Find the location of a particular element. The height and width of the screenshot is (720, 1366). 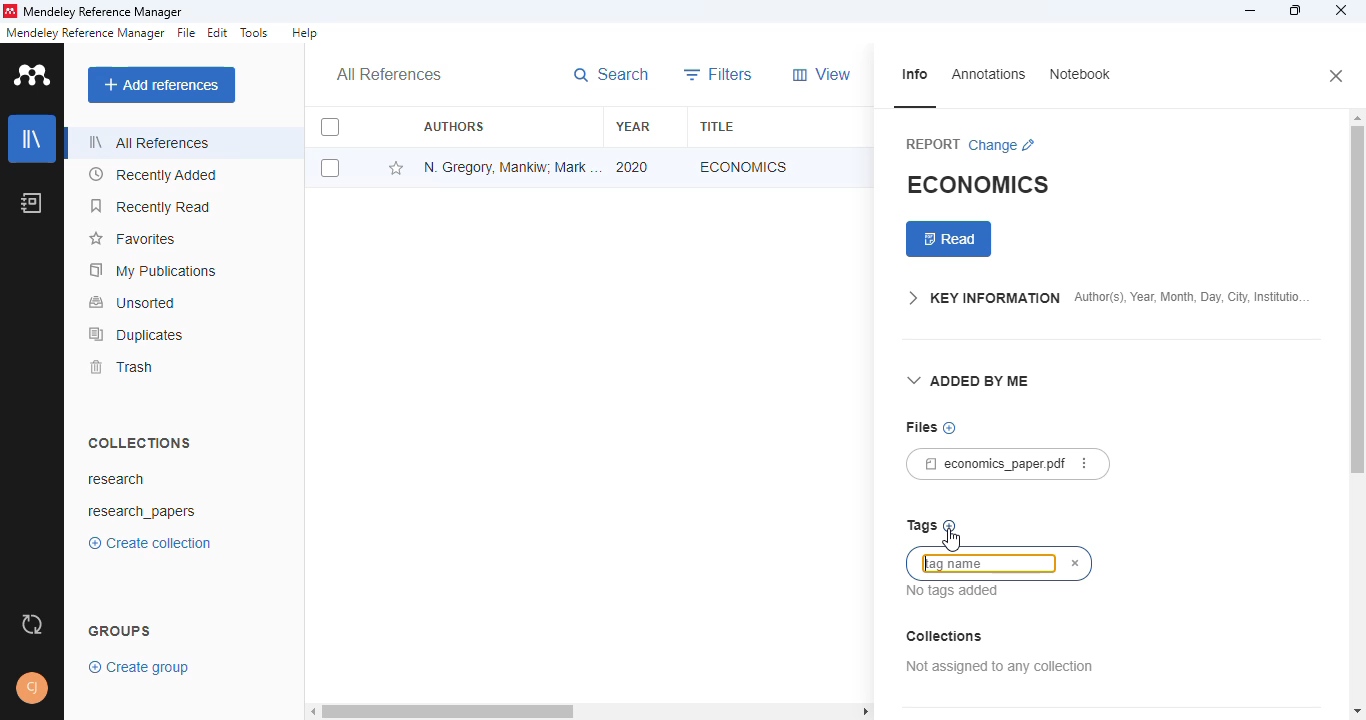

recently read is located at coordinates (149, 206).